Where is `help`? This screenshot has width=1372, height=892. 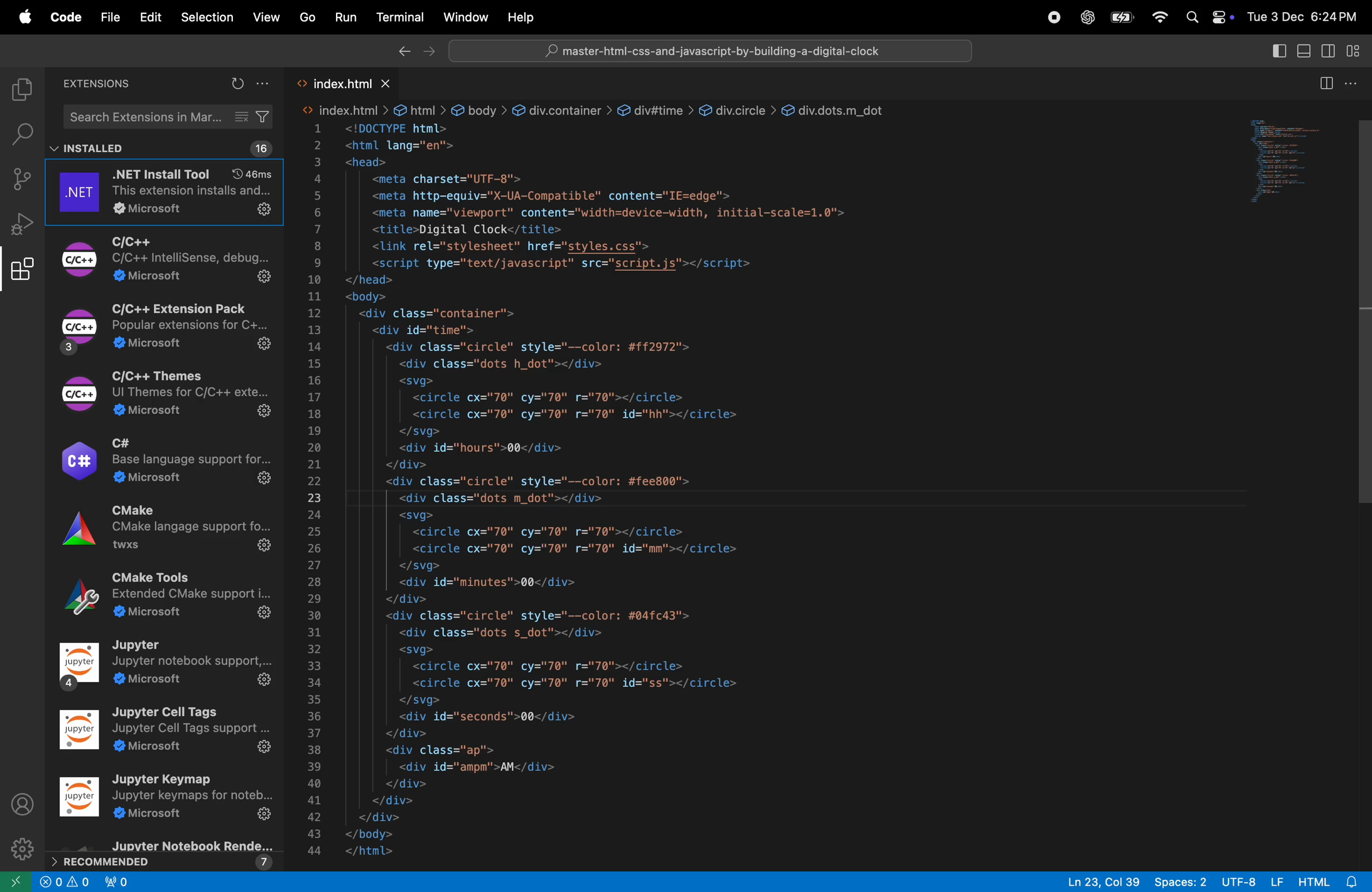 help is located at coordinates (526, 17).